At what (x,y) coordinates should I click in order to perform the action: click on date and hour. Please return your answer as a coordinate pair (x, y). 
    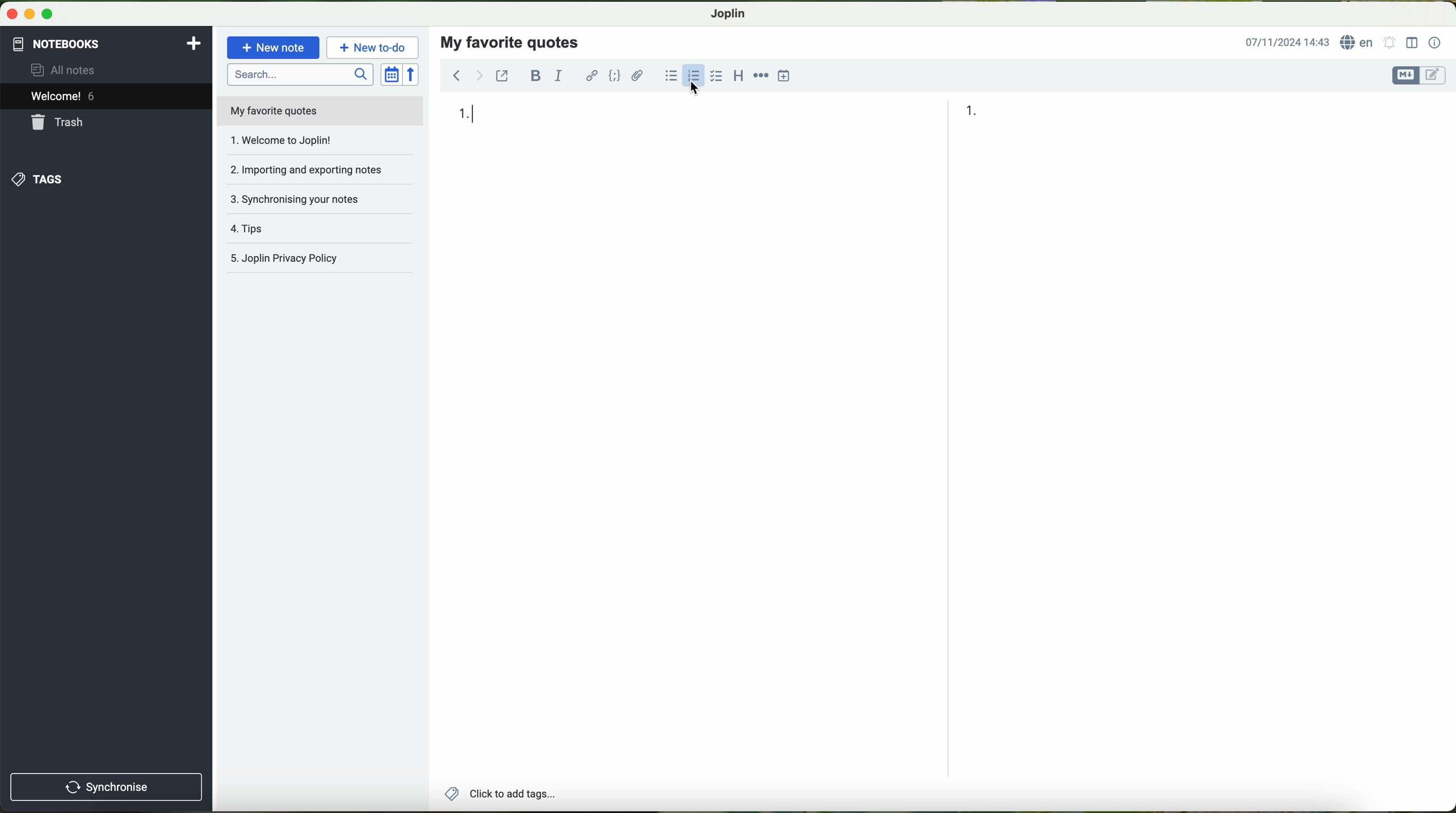
    Looking at the image, I should click on (1286, 41).